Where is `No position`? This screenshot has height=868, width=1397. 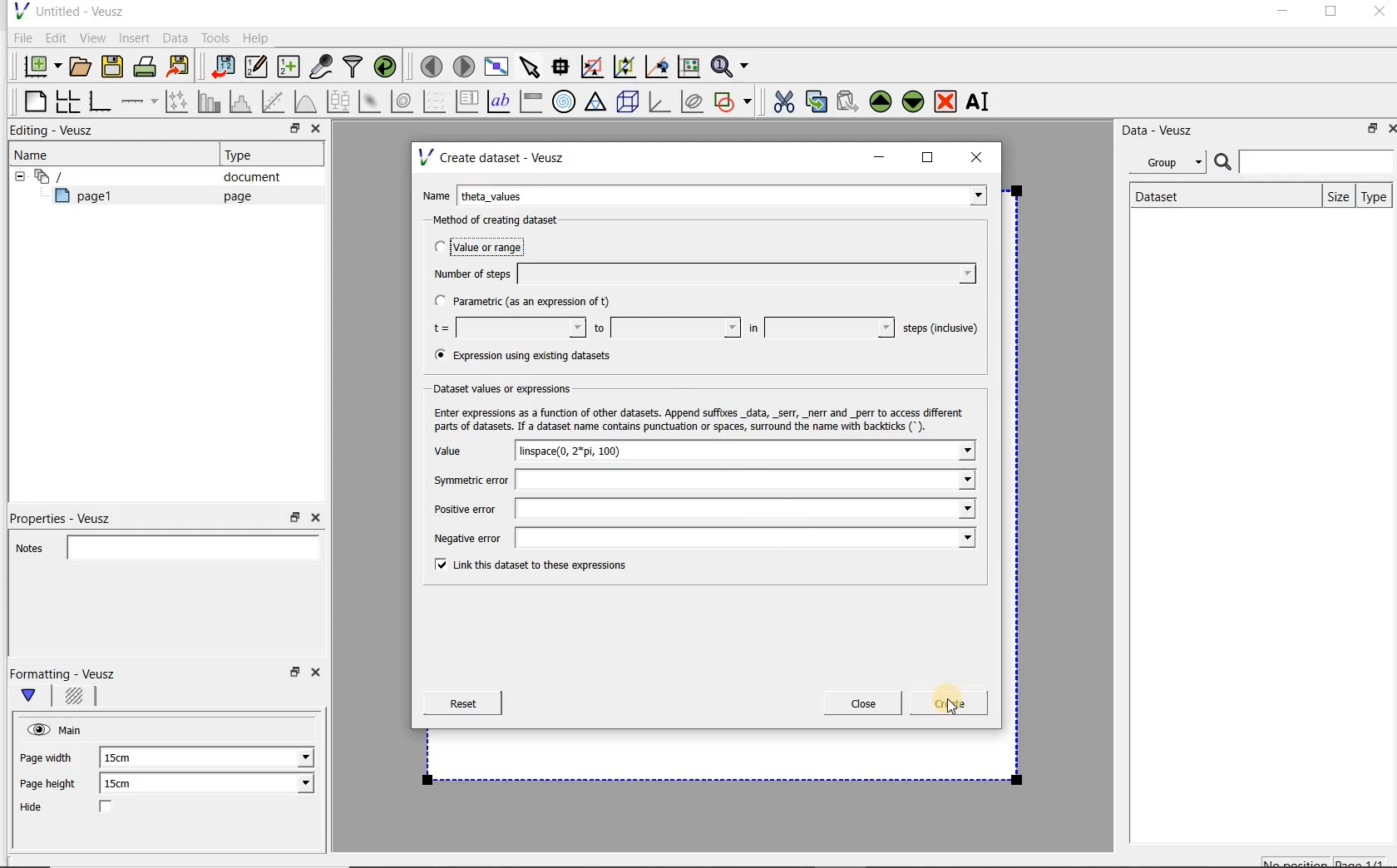
No position is located at coordinates (1297, 861).